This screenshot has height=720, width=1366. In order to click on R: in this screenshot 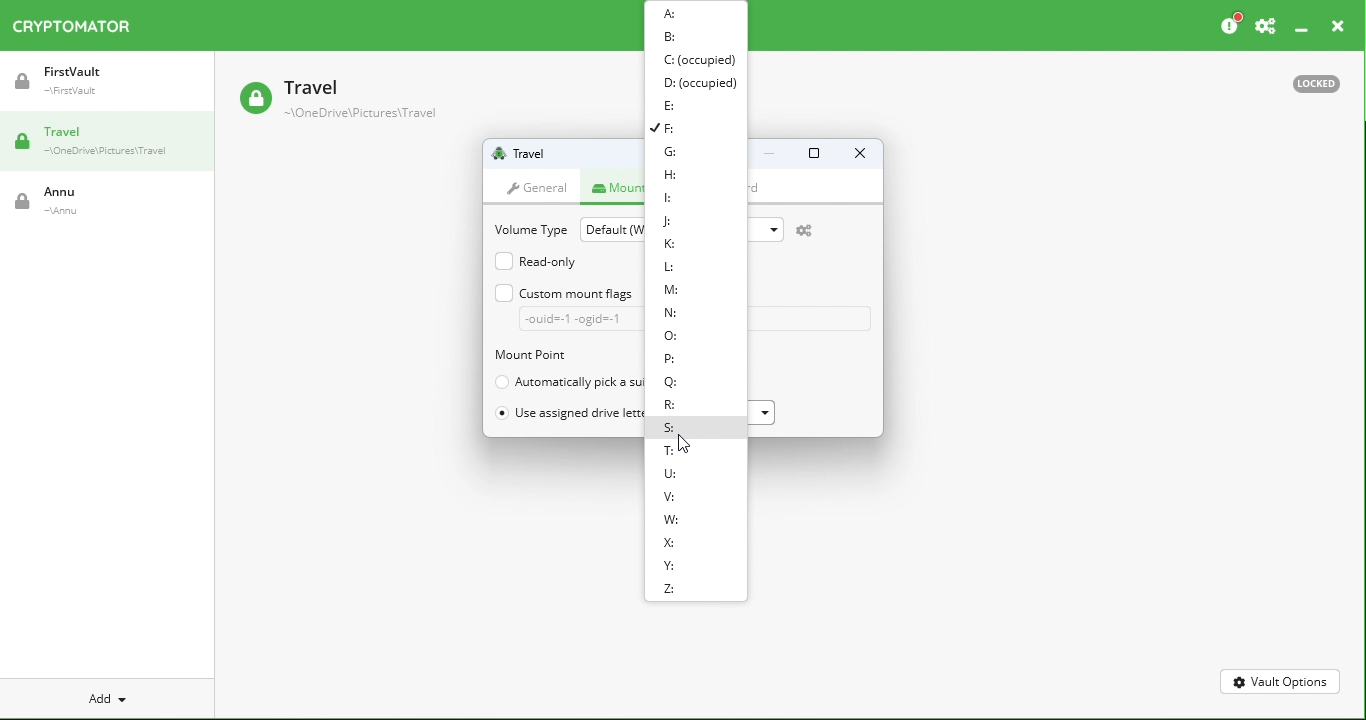, I will do `click(670, 408)`.